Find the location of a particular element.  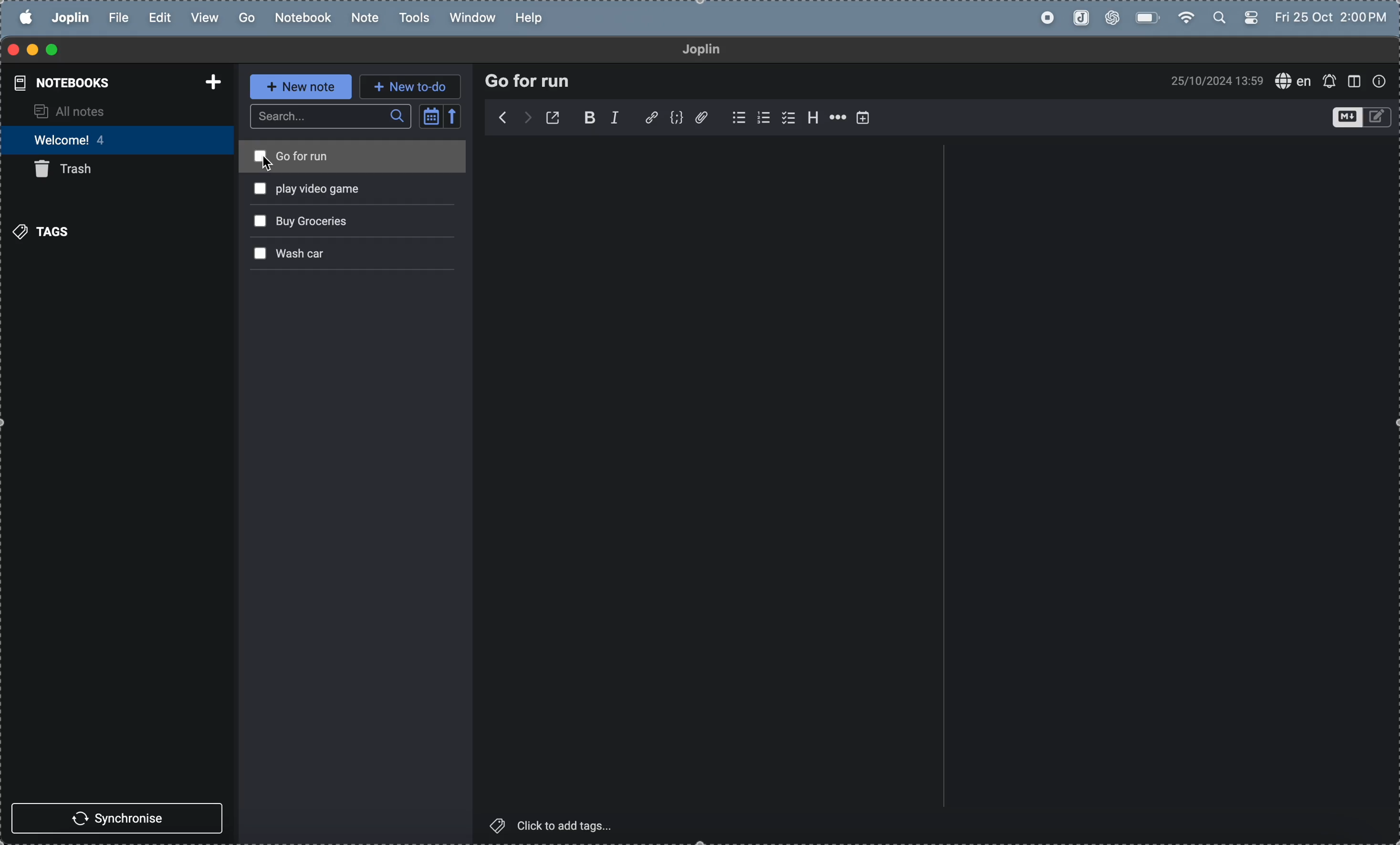

window is located at coordinates (474, 16).